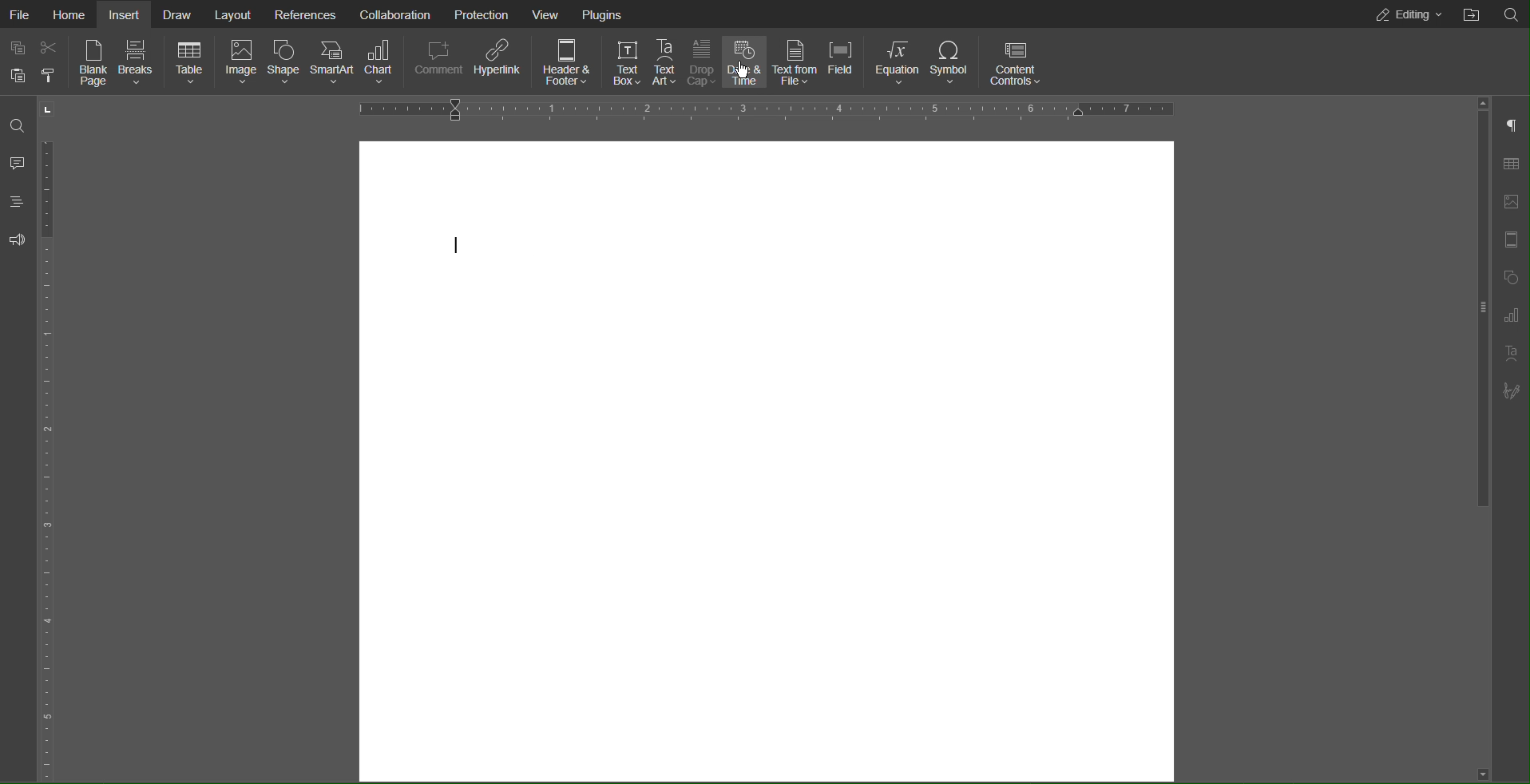  What do you see at coordinates (840, 61) in the screenshot?
I see `Field` at bounding box center [840, 61].